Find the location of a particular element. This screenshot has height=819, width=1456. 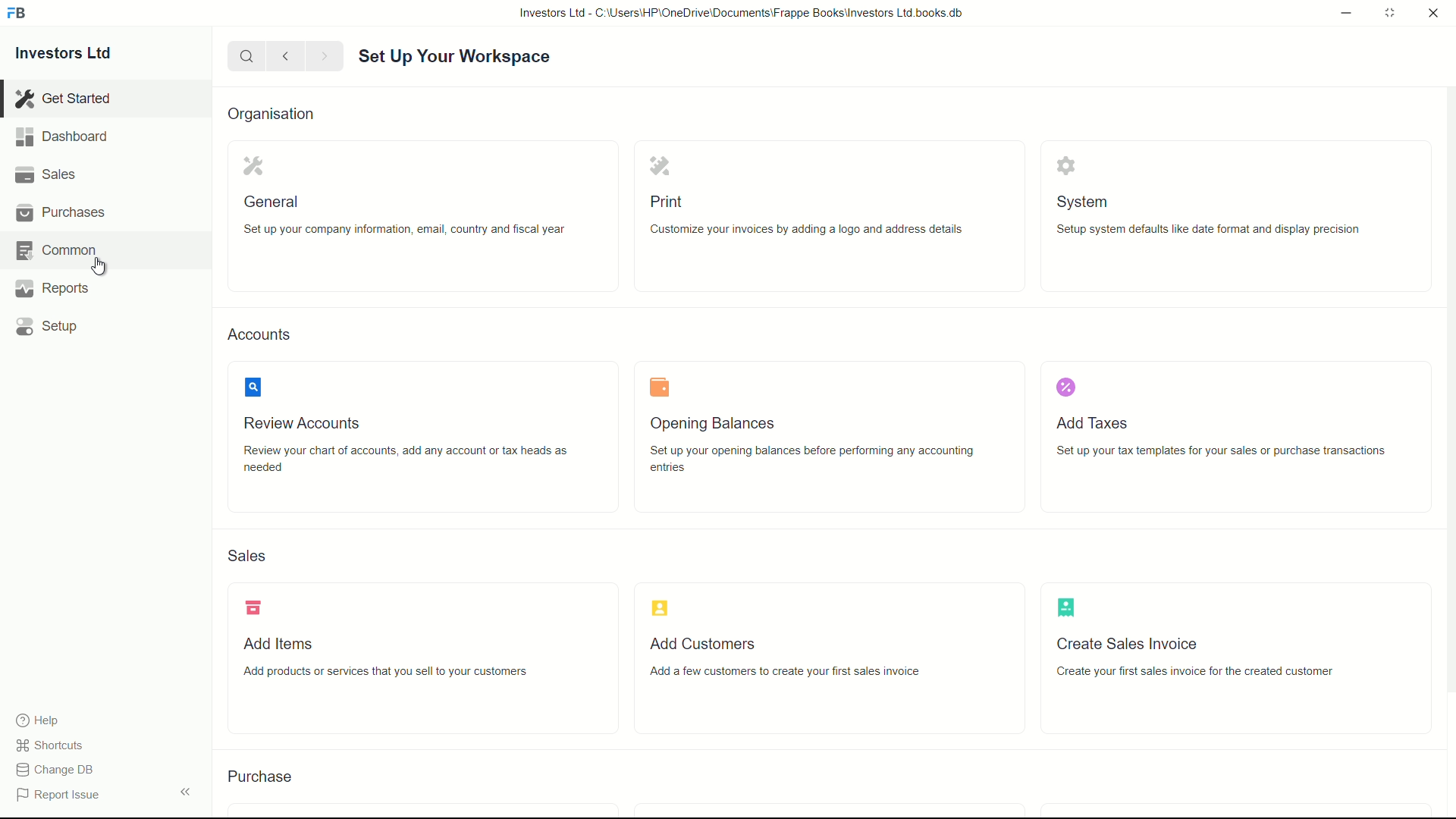

Investors Ltd - C:\Users\HP\OneDrive\Documents\Frappe Books\Investors Ltd books.db is located at coordinates (743, 12).